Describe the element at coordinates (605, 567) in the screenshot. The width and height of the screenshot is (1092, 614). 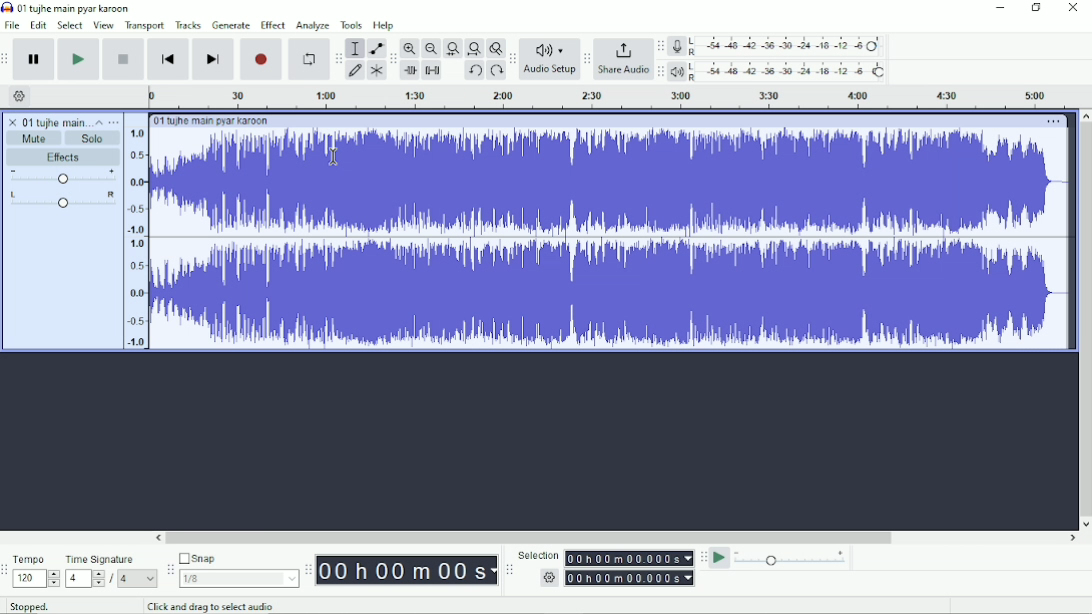
I see `Selection` at that location.